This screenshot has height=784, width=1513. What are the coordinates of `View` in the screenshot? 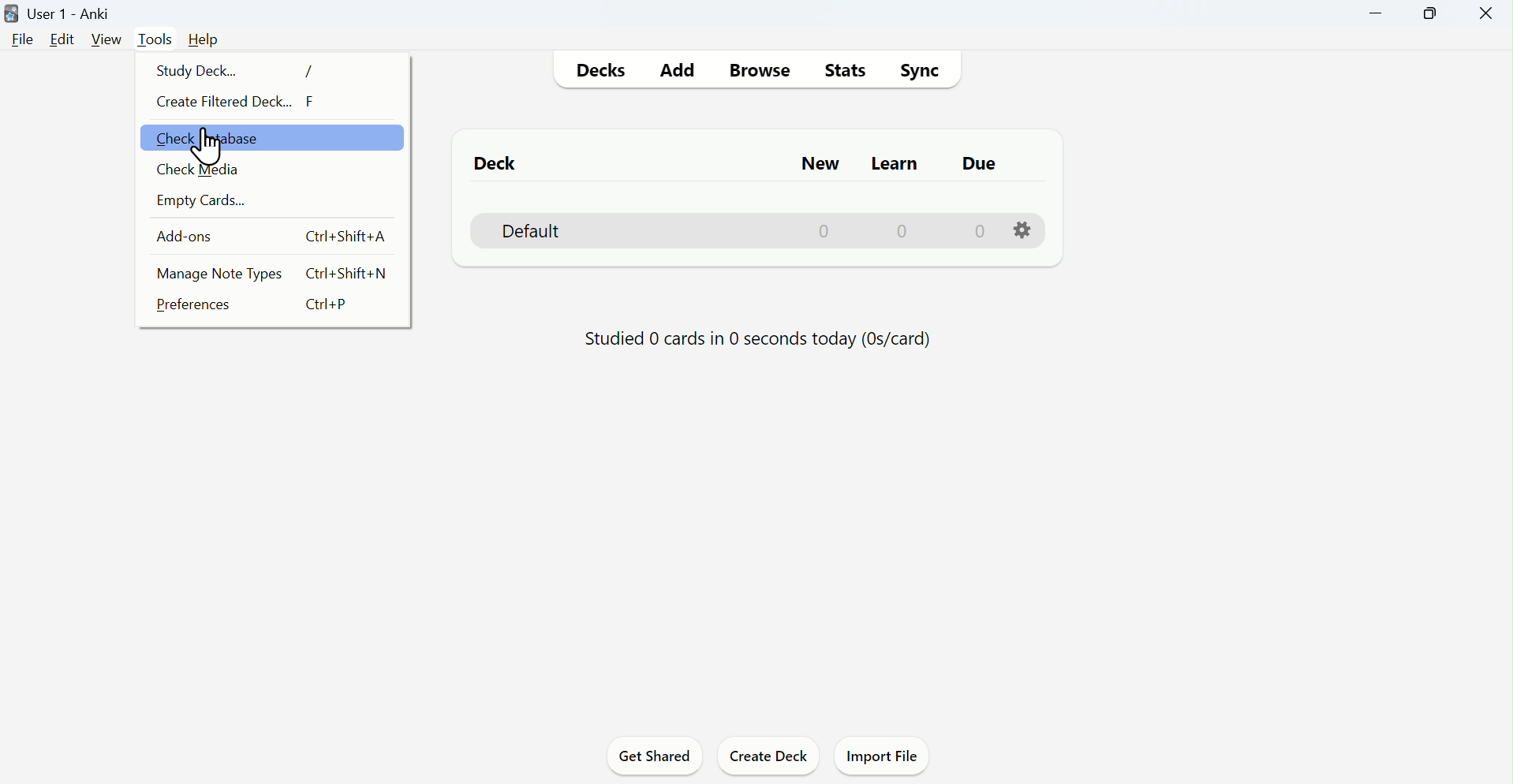 It's located at (107, 39).